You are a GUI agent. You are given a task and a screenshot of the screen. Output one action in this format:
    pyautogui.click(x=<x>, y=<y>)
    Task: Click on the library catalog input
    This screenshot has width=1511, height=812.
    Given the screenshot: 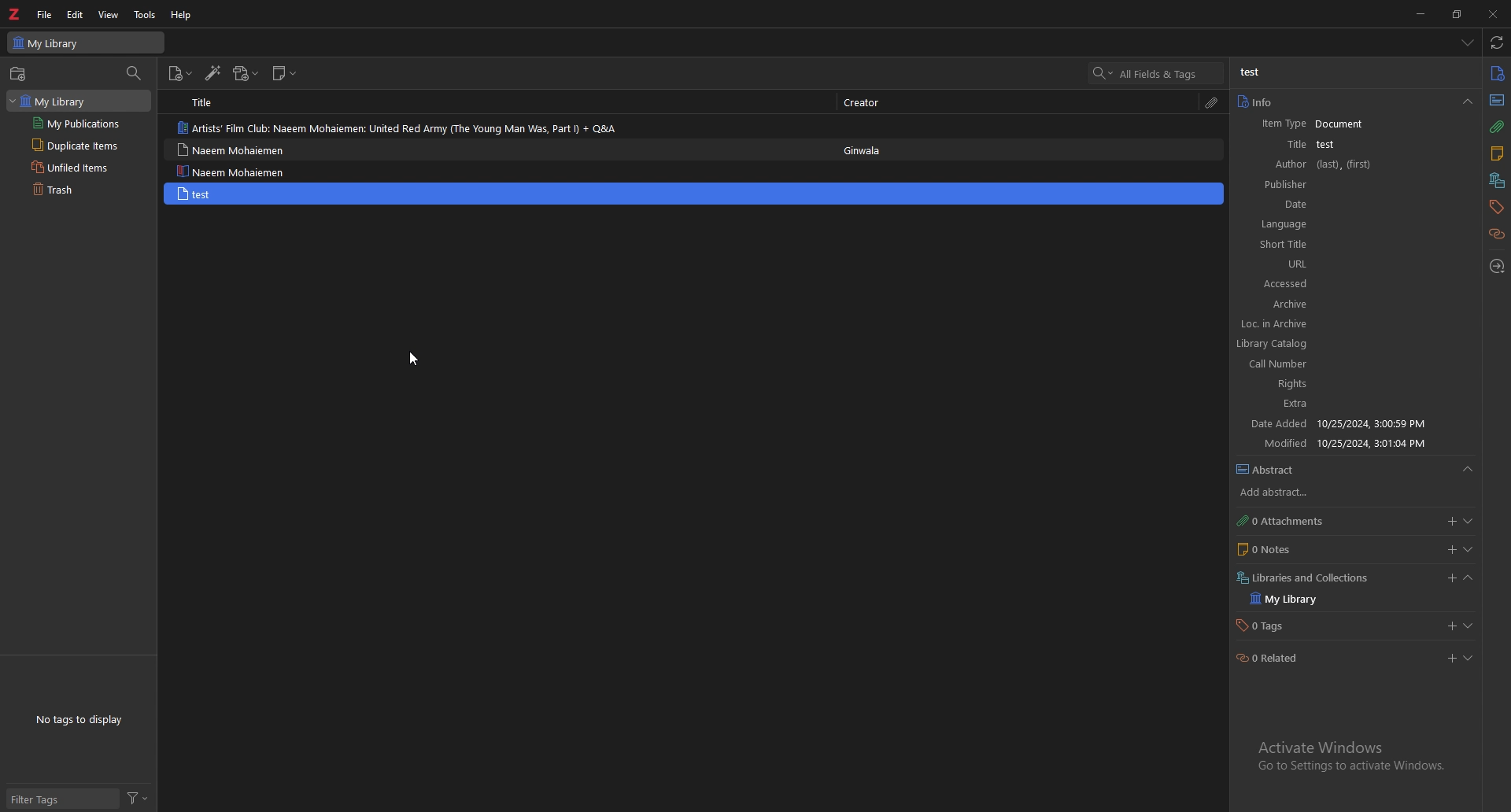 What is the action you would take?
    pyautogui.click(x=1354, y=344)
    